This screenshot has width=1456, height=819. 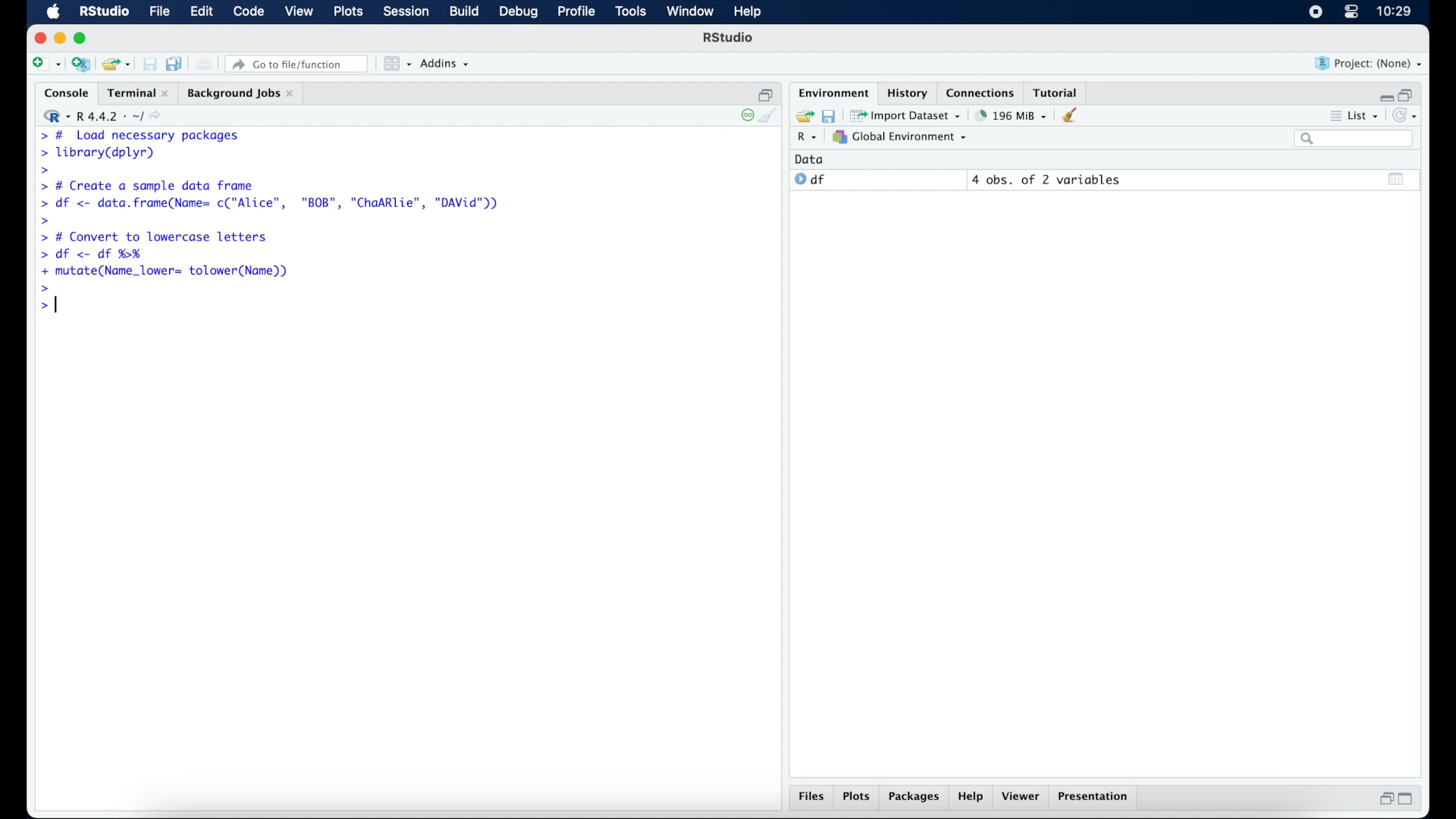 I want to click on R 4.4.2, so click(x=106, y=117).